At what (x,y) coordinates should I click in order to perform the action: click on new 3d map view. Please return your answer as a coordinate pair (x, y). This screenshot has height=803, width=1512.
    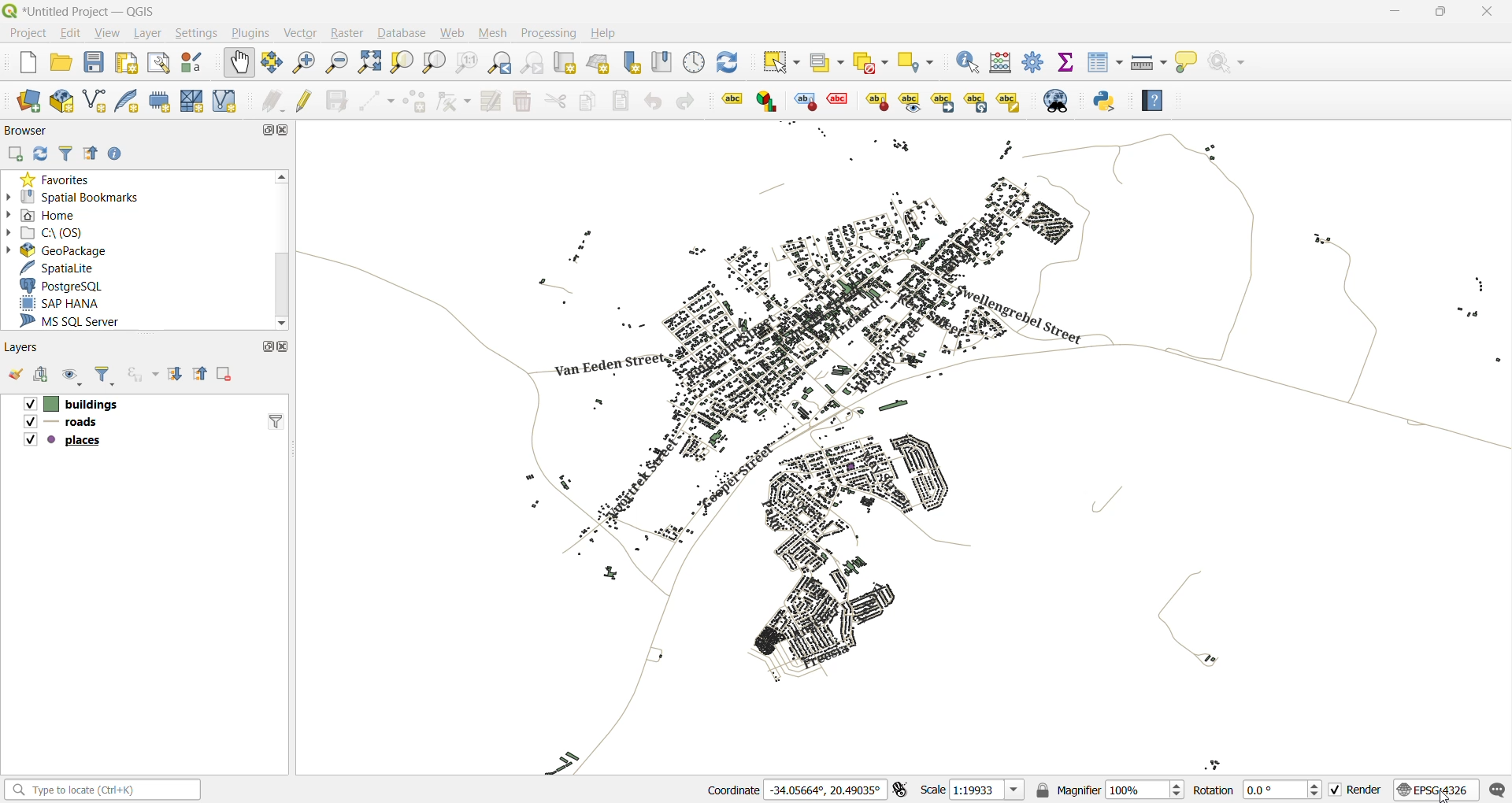
    Looking at the image, I should click on (599, 62).